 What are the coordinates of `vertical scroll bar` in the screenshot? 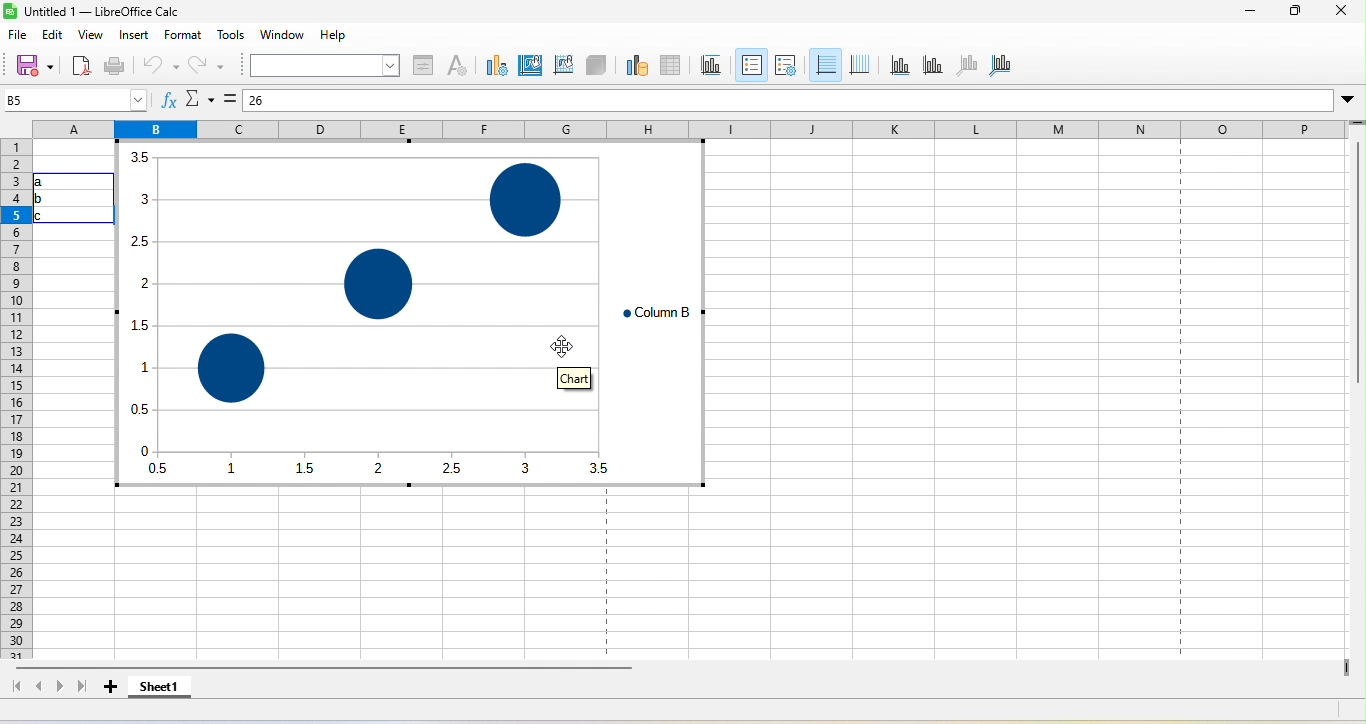 It's located at (1357, 298).